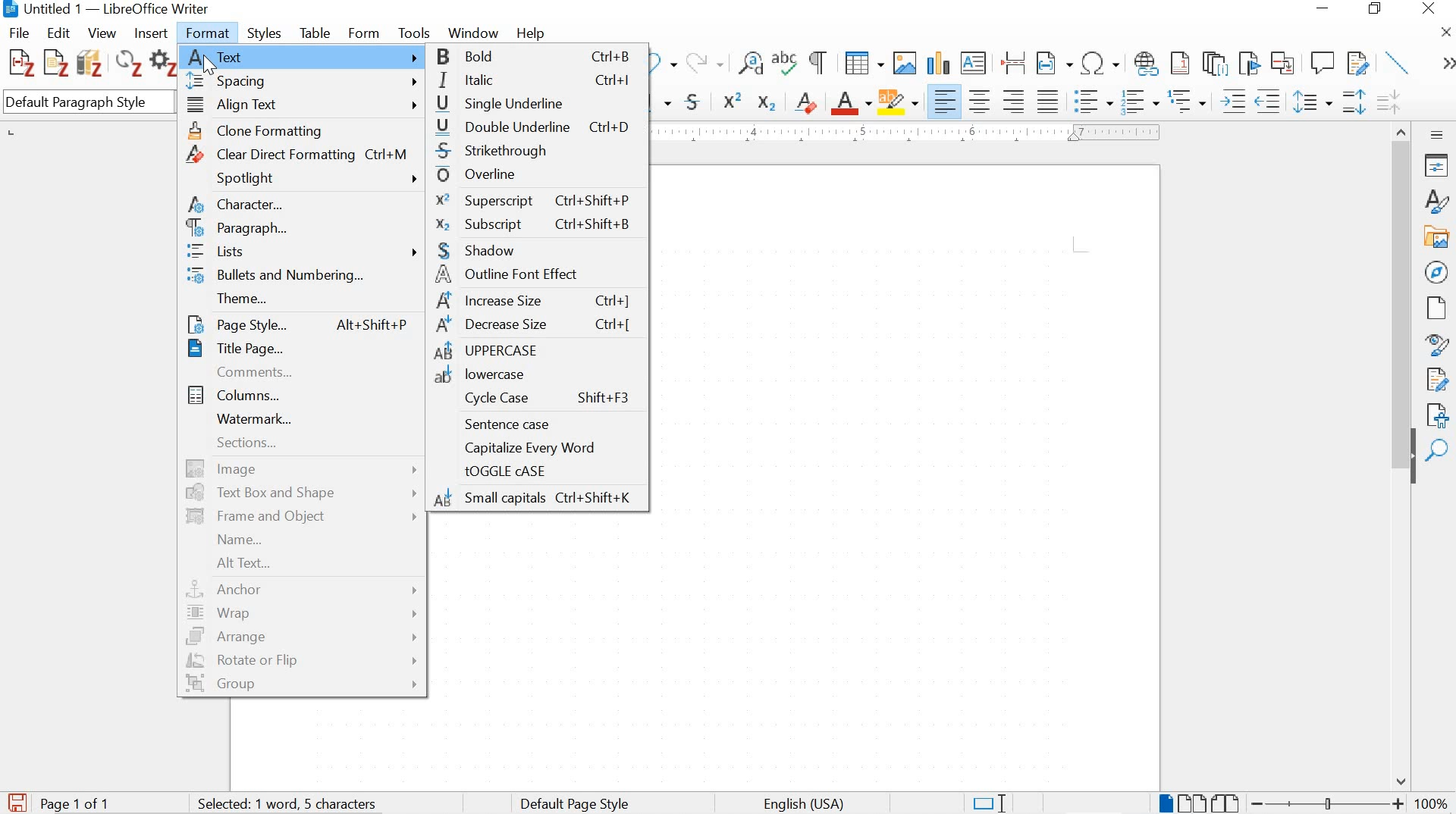 This screenshot has height=814, width=1456. I want to click on increase size          Ctrl+], so click(535, 301).